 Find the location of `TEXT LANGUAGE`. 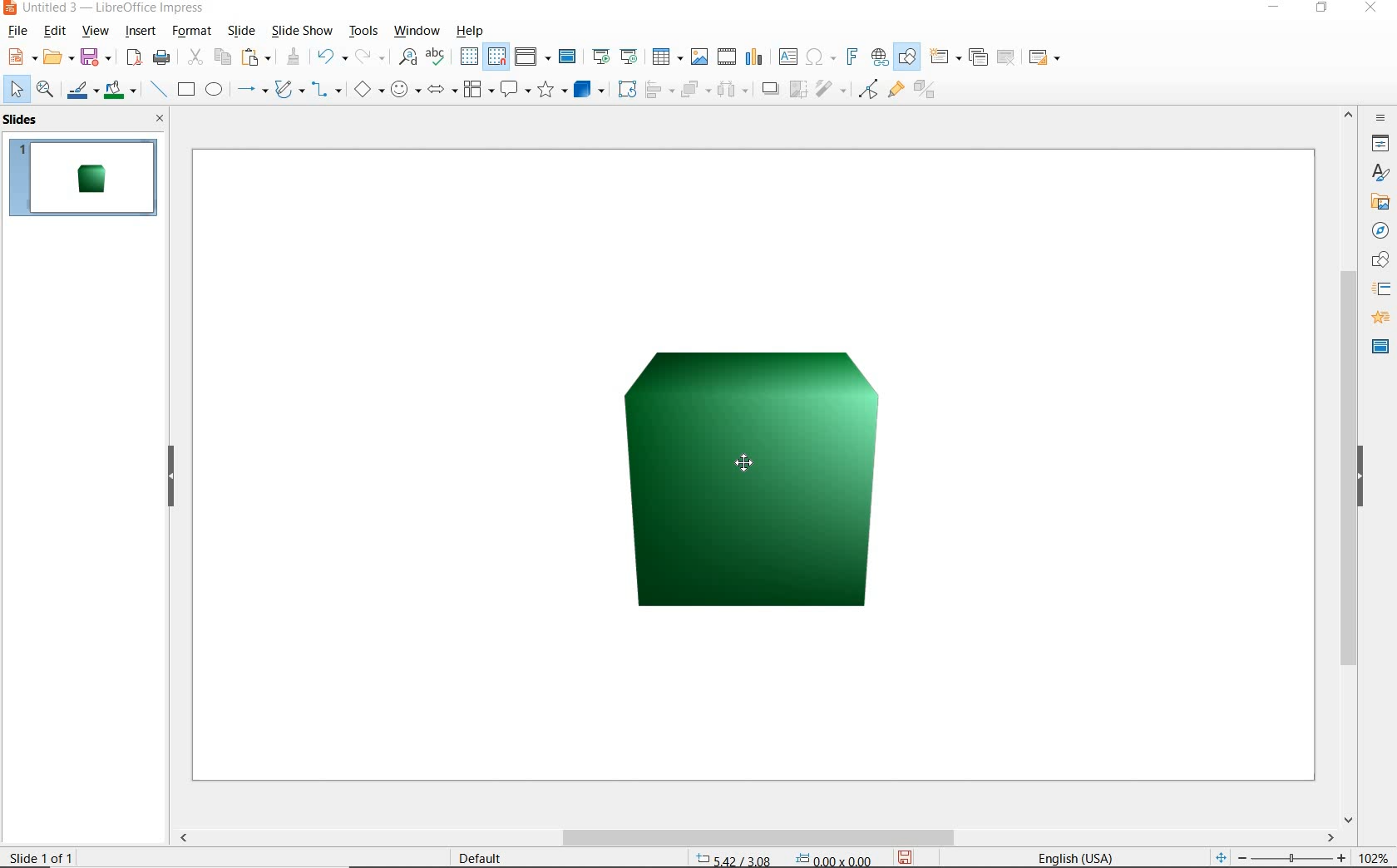

TEXT LANGUAGE is located at coordinates (1078, 856).